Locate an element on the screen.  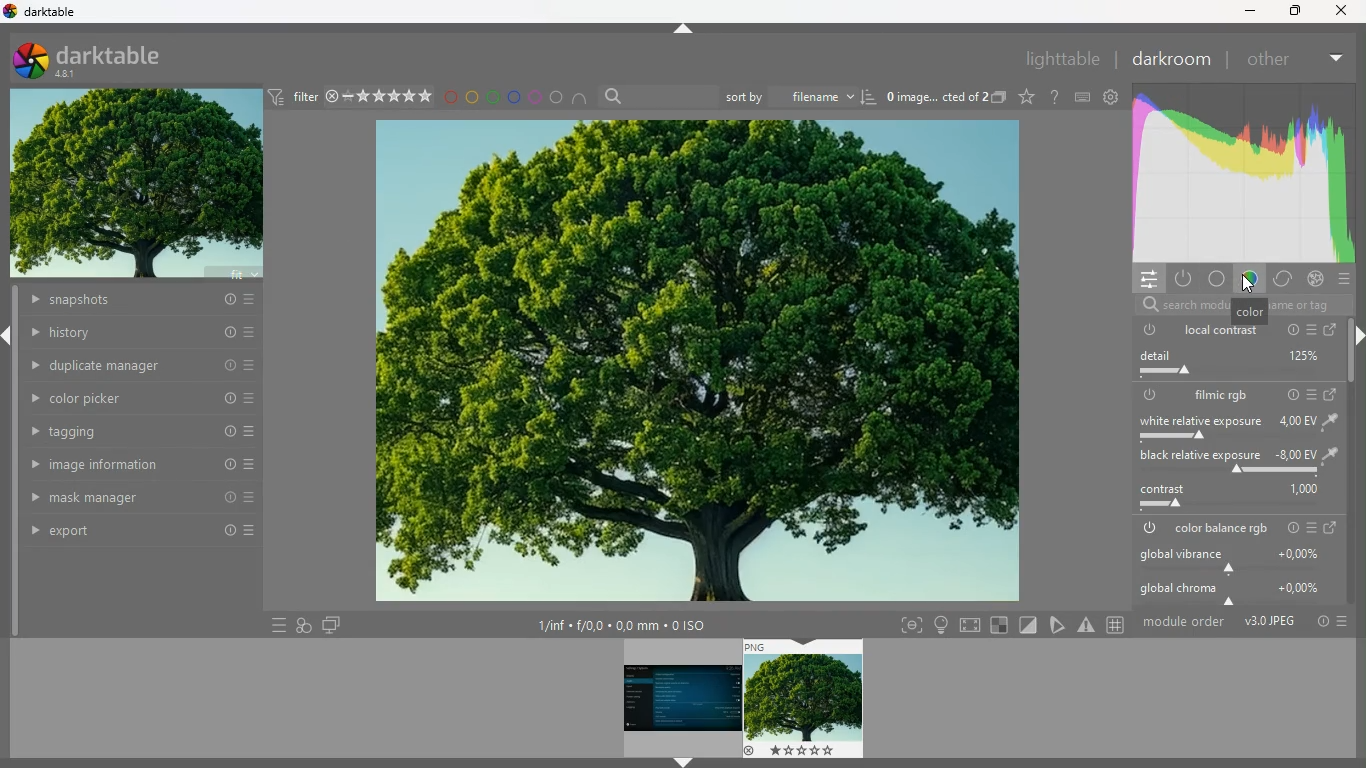
color picker is located at coordinates (143, 398).